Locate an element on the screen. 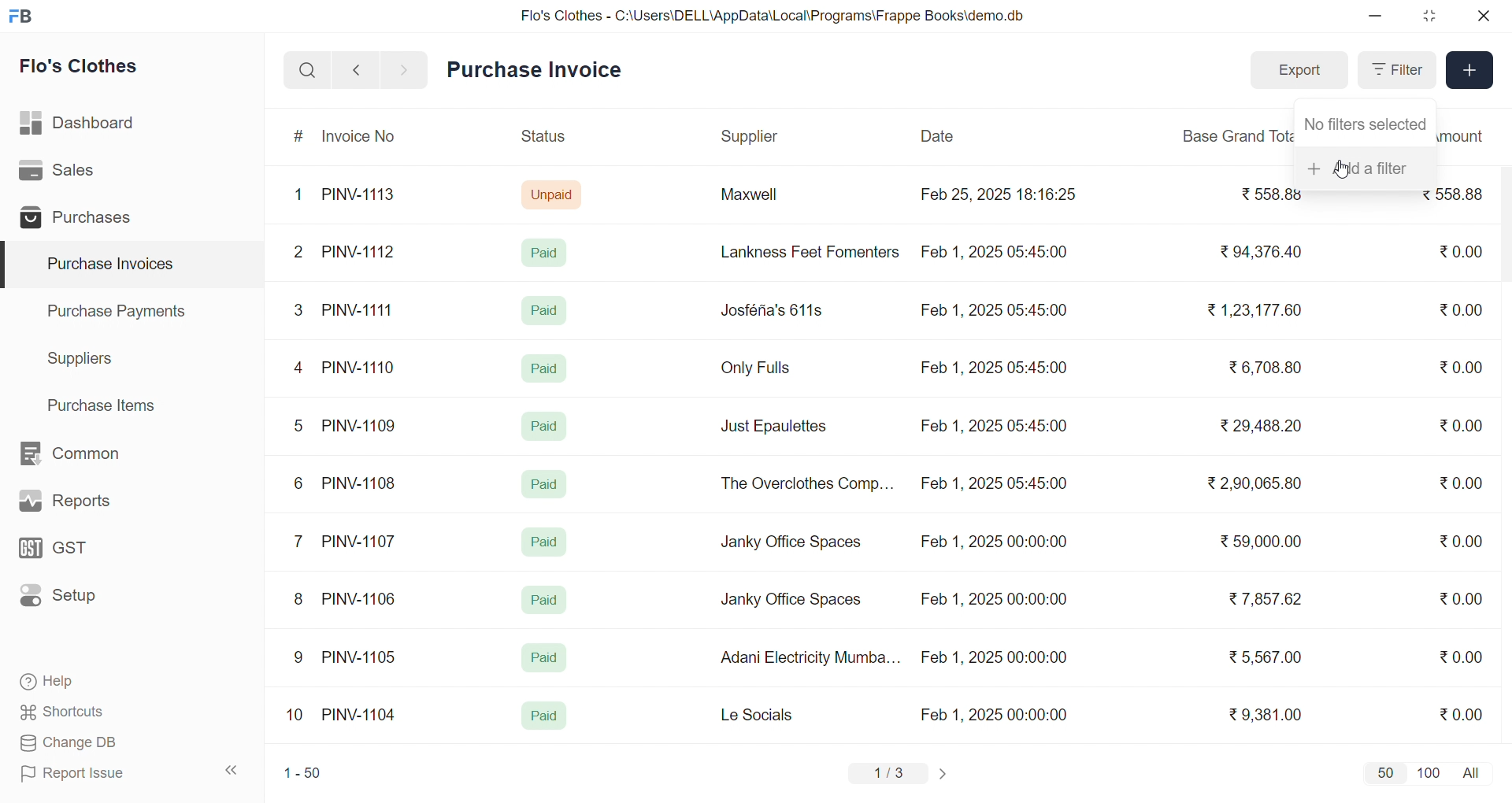  Shortcuts is located at coordinates (99, 712).